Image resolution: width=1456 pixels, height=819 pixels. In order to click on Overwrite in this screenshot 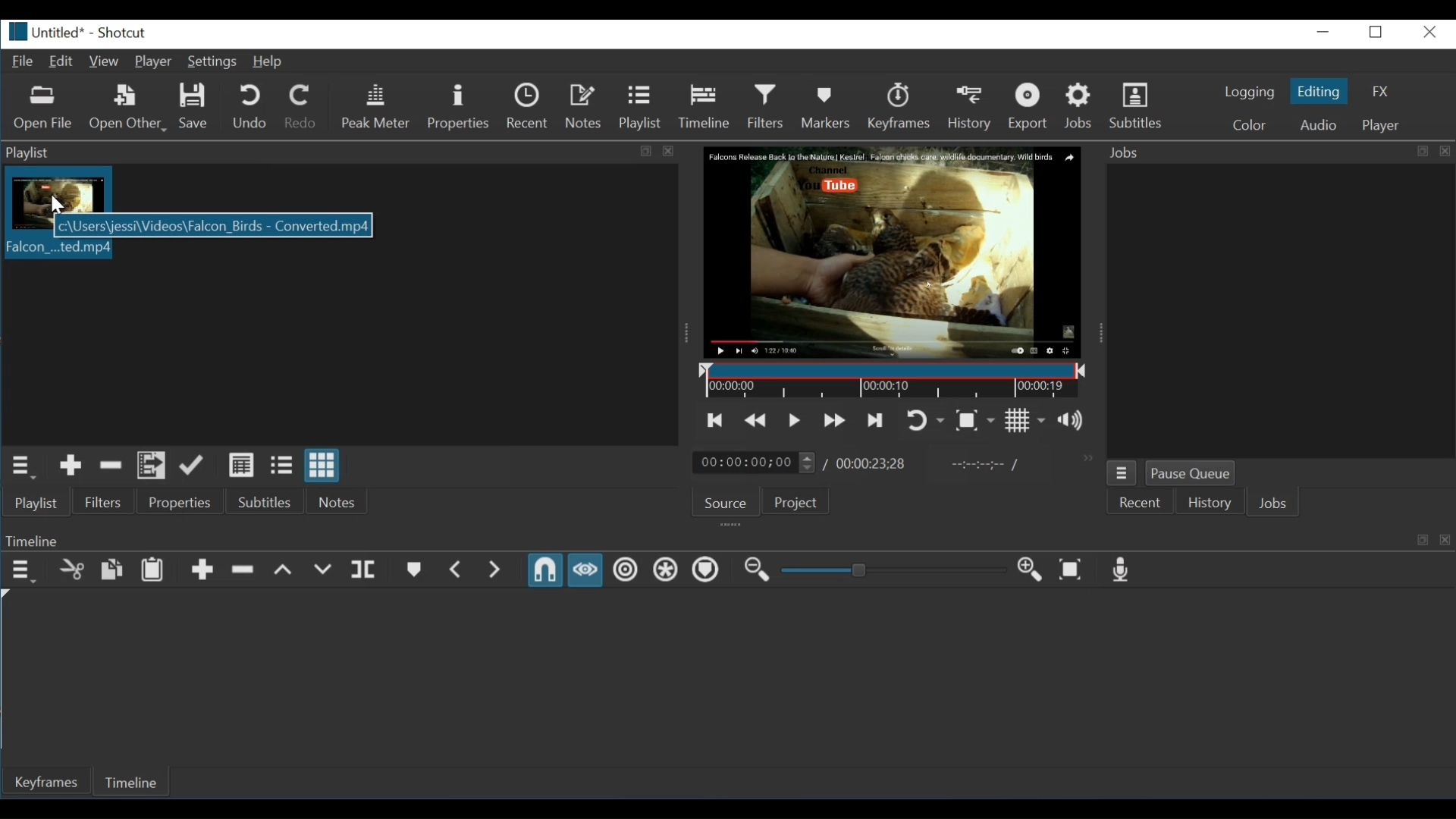, I will do `click(322, 571)`.